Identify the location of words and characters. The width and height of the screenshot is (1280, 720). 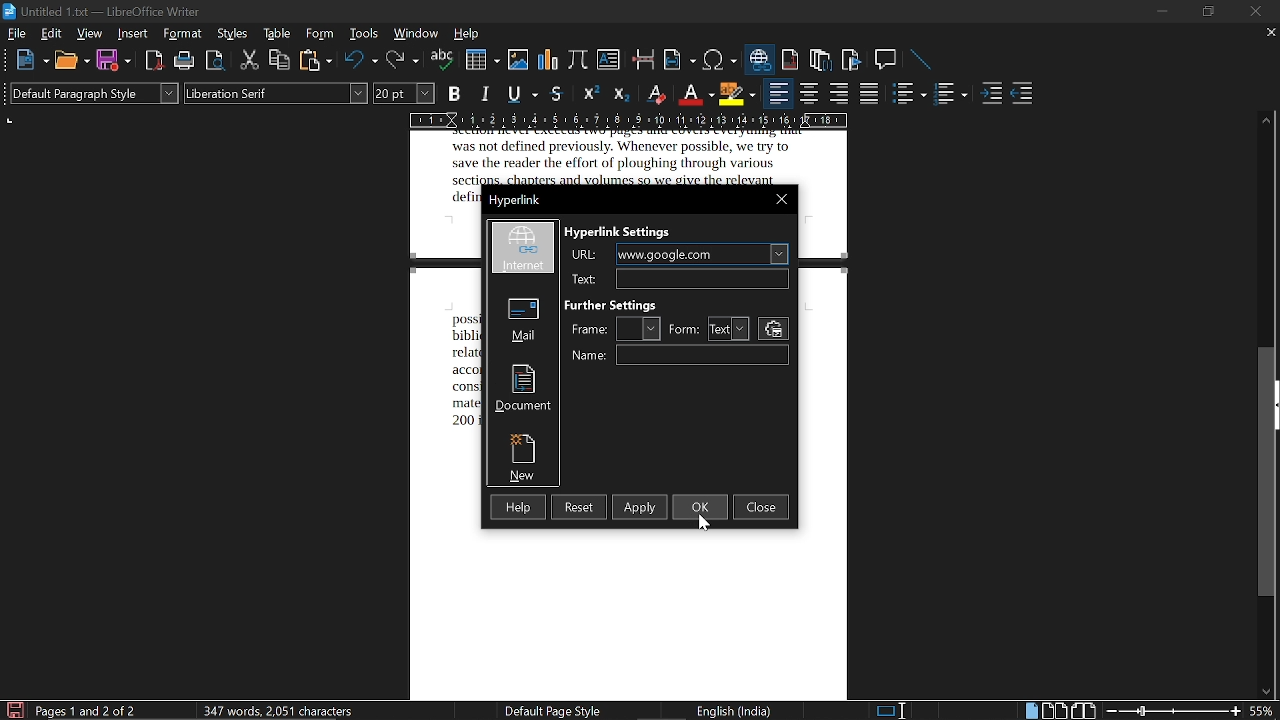
(276, 710).